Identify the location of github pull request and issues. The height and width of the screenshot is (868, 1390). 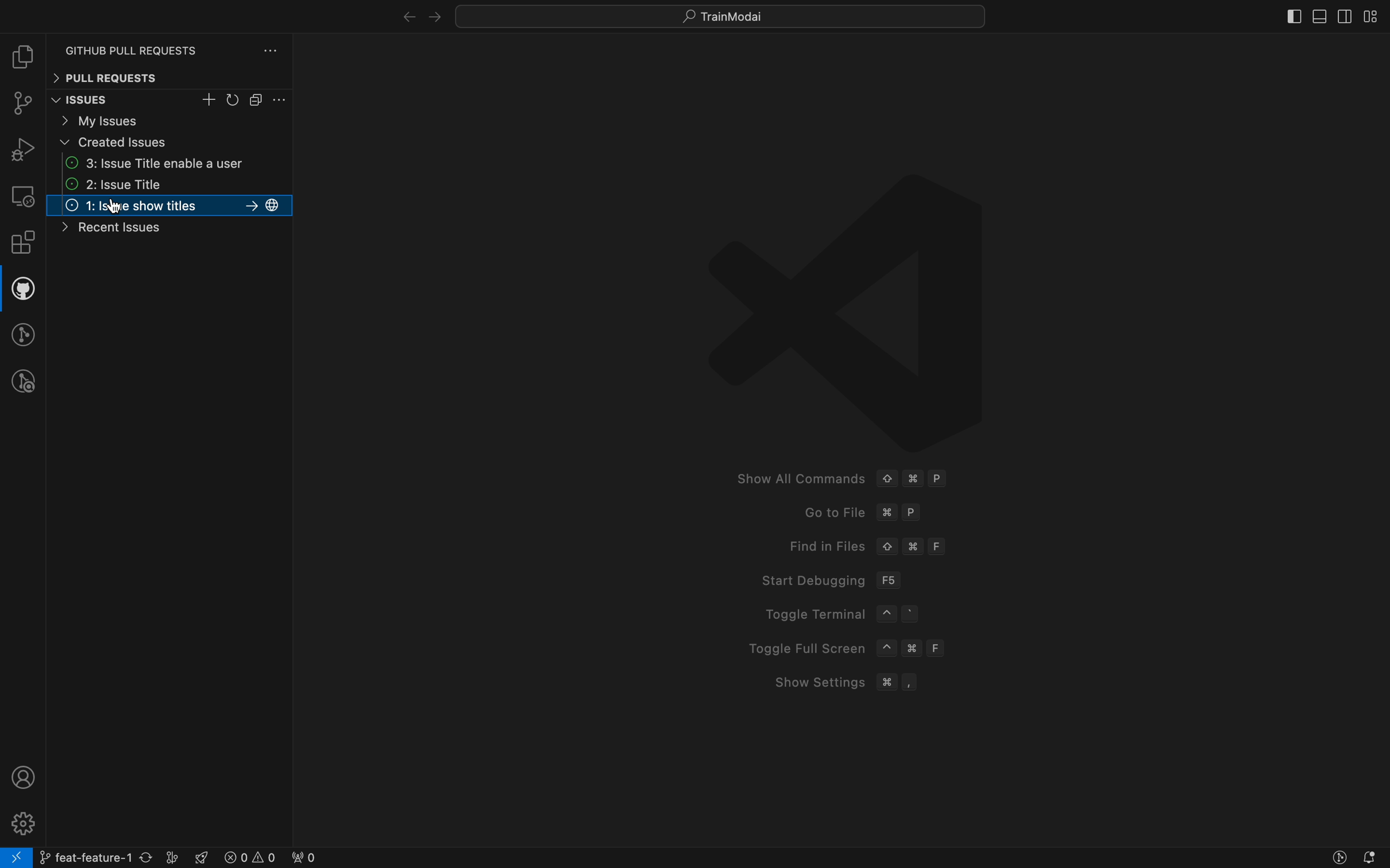
(22, 291).